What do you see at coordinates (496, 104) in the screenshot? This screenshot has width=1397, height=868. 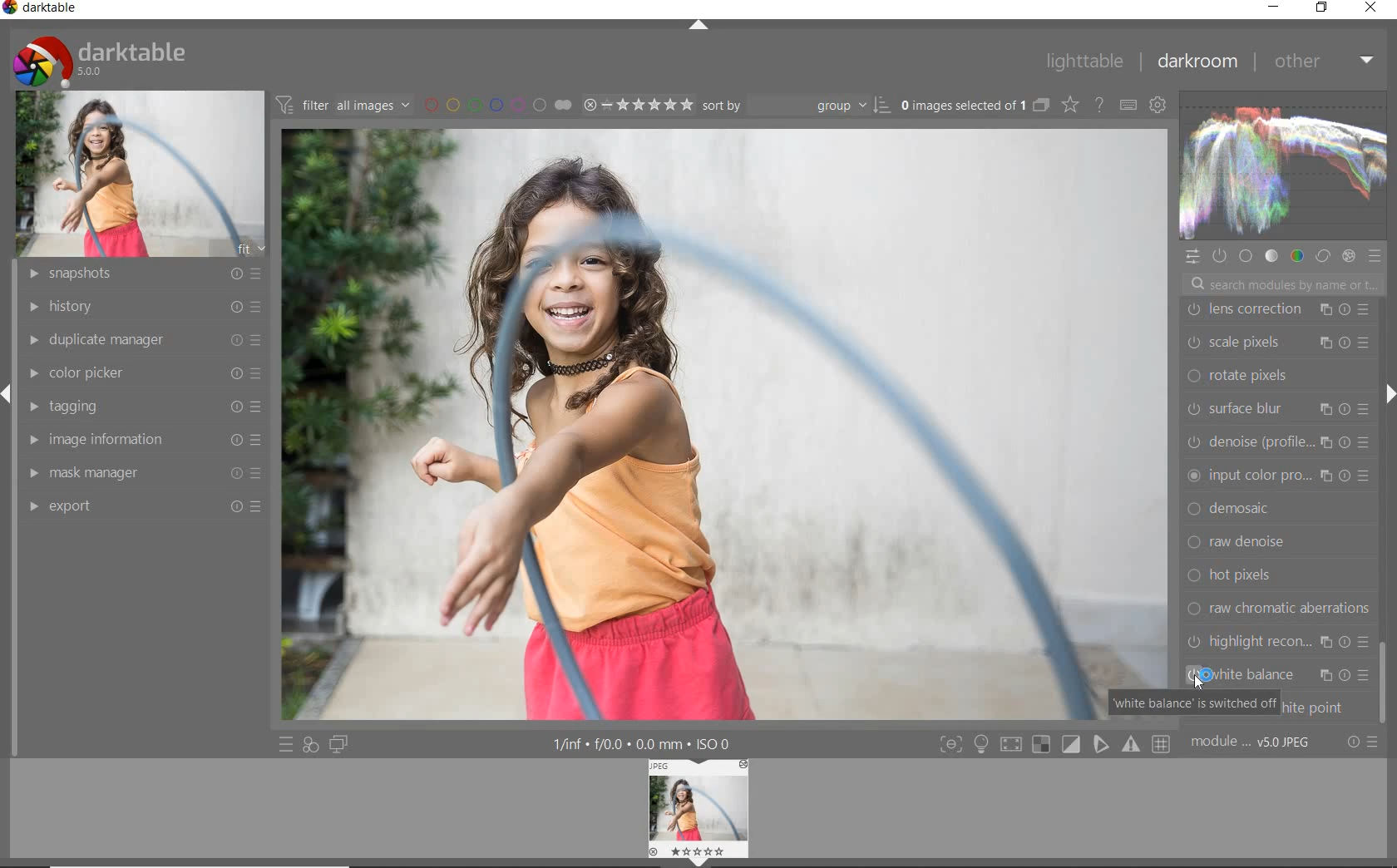 I see `filter by image color label` at bounding box center [496, 104].